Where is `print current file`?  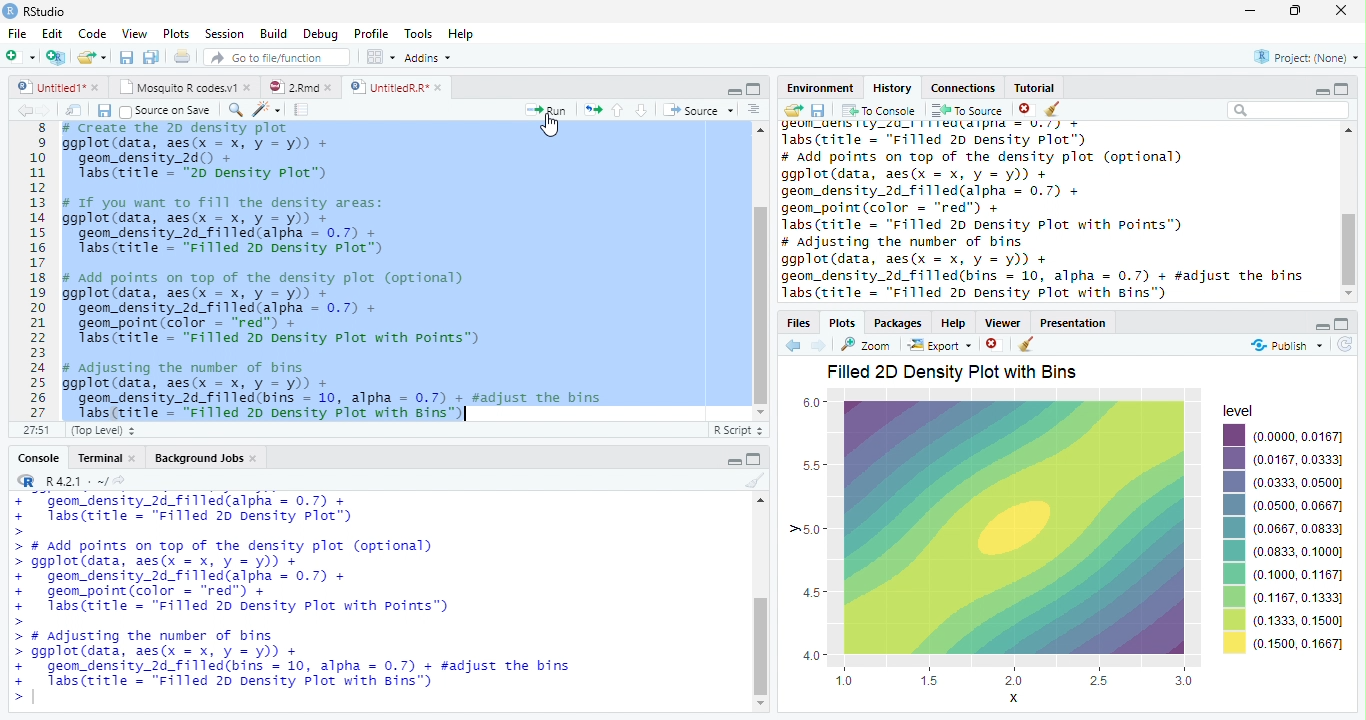 print current file is located at coordinates (182, 56).